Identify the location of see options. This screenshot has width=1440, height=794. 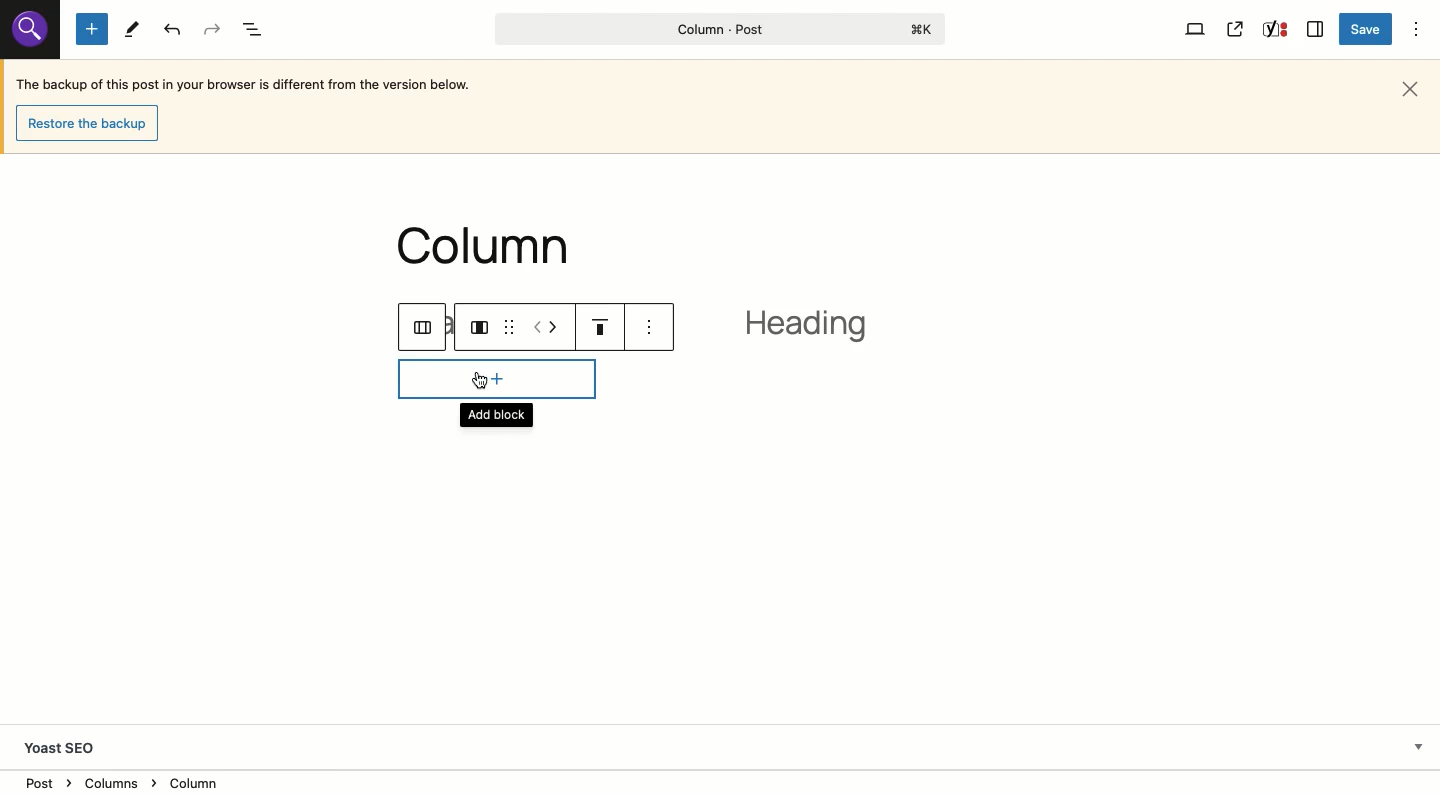
(658, 330).